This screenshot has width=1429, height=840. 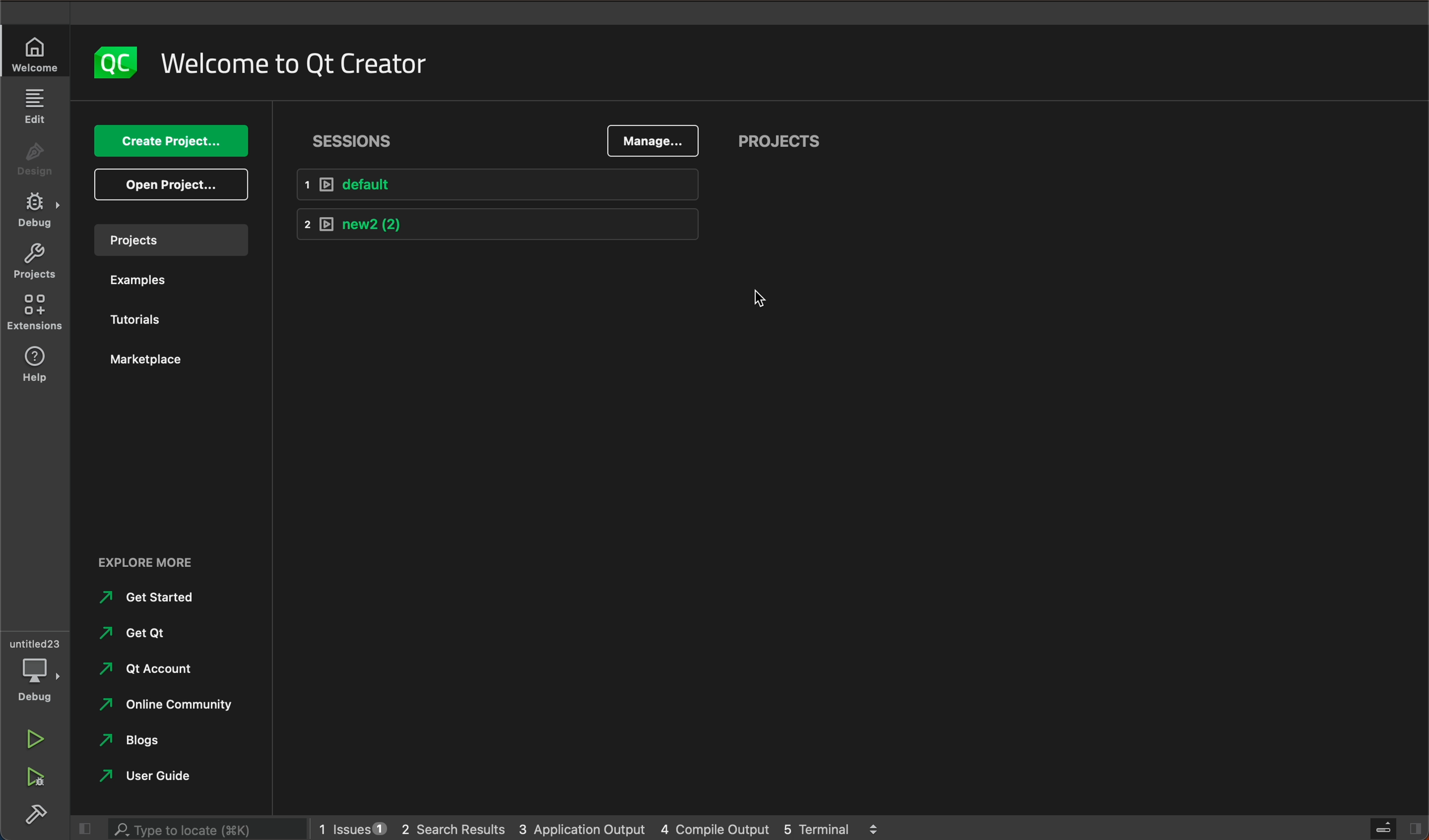 I want to click on new2, so click(x=498, y=227).